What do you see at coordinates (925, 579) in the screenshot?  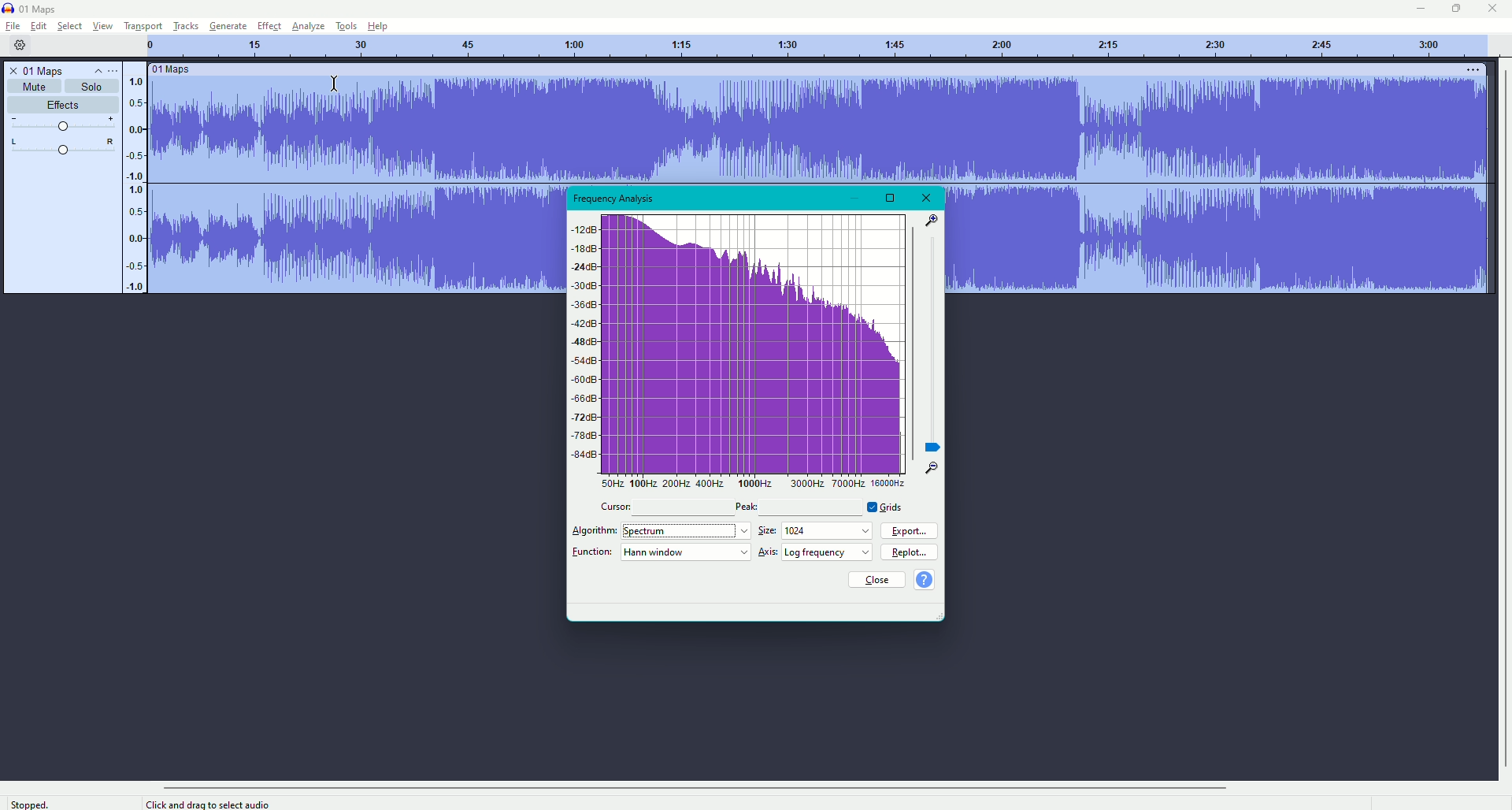 I see `Help` at bounding box center [925, 579].